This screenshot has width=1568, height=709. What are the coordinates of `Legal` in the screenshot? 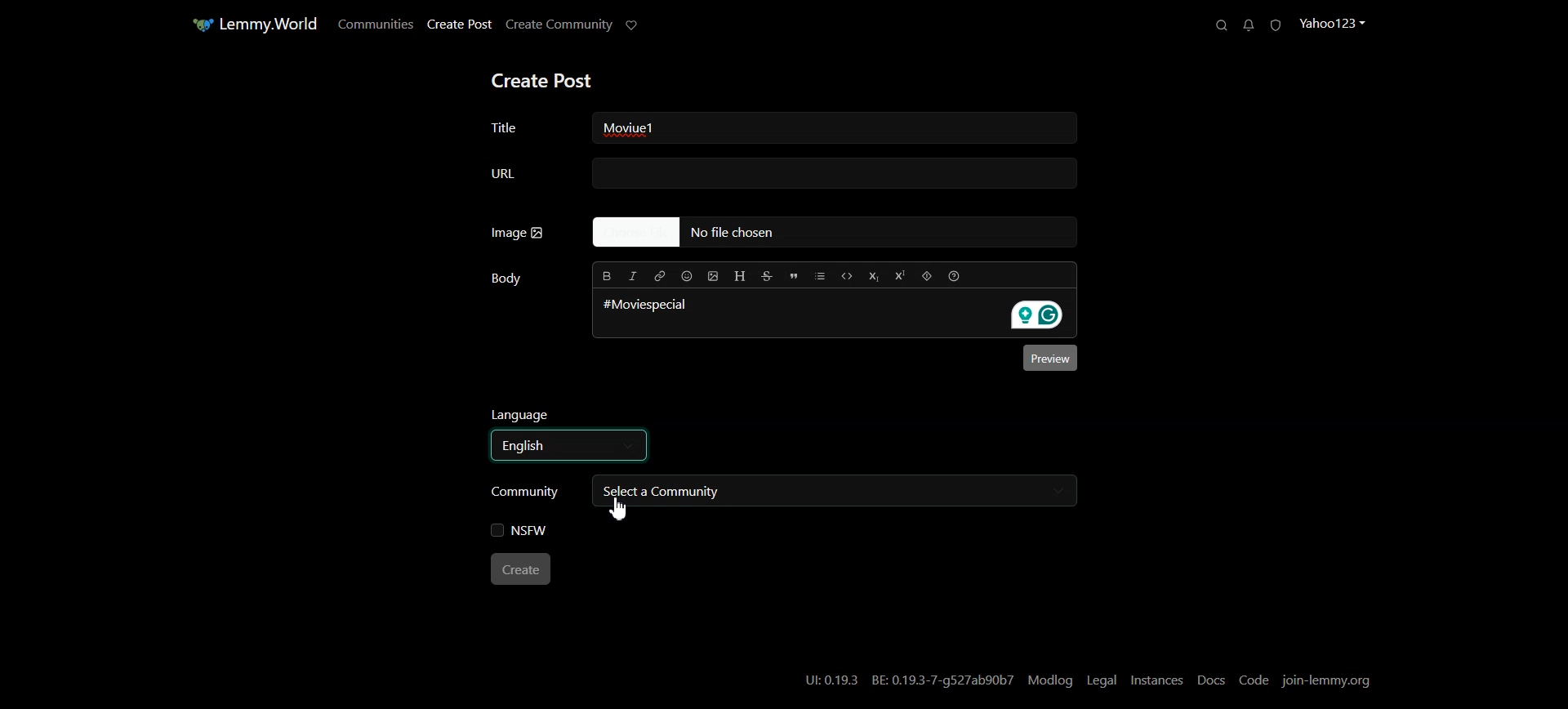 It's located at (1101, 680).